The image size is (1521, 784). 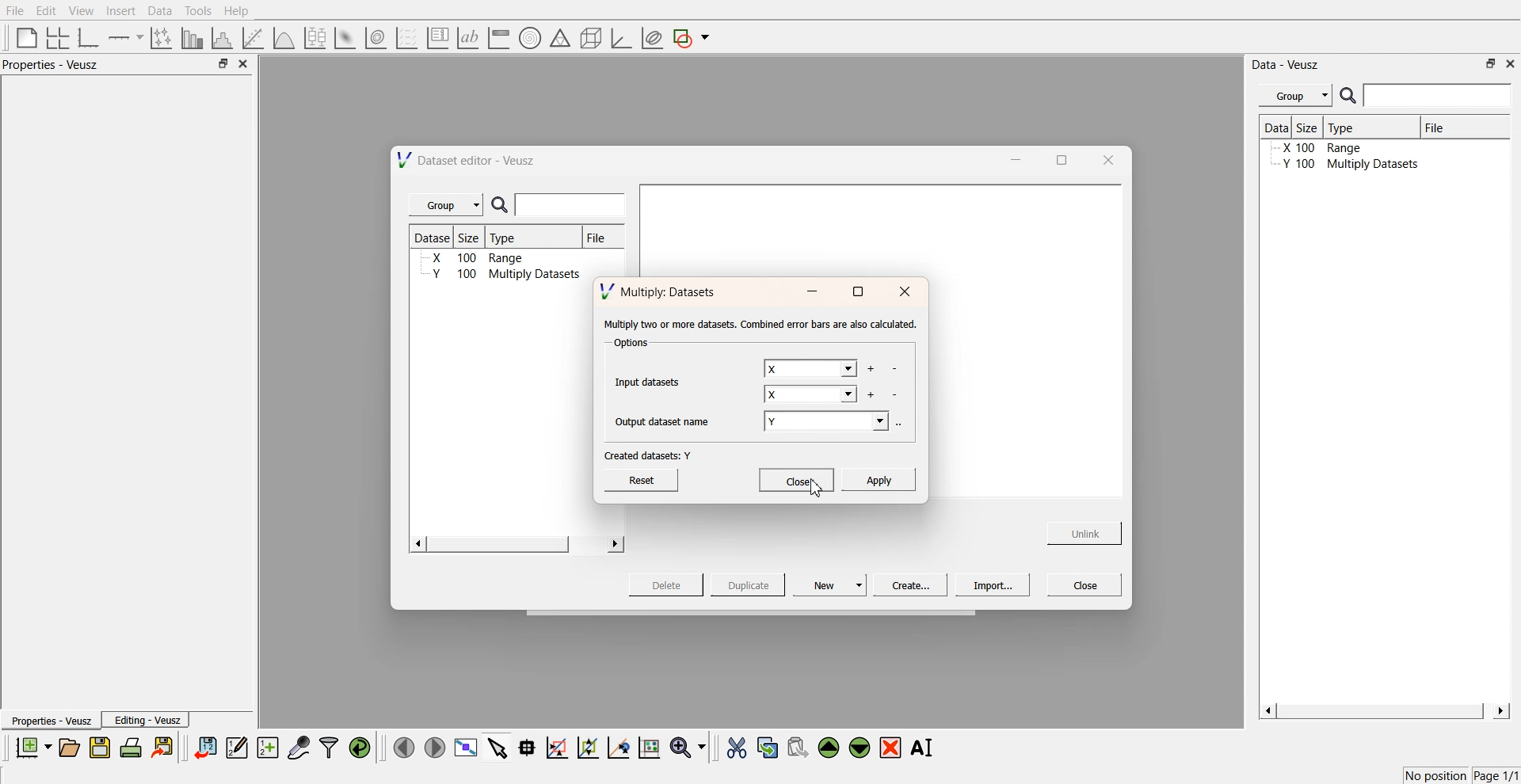 What do you see at coordinates (244, 64) in the screenshot?
I see `close` at bounding box center [244, 64].